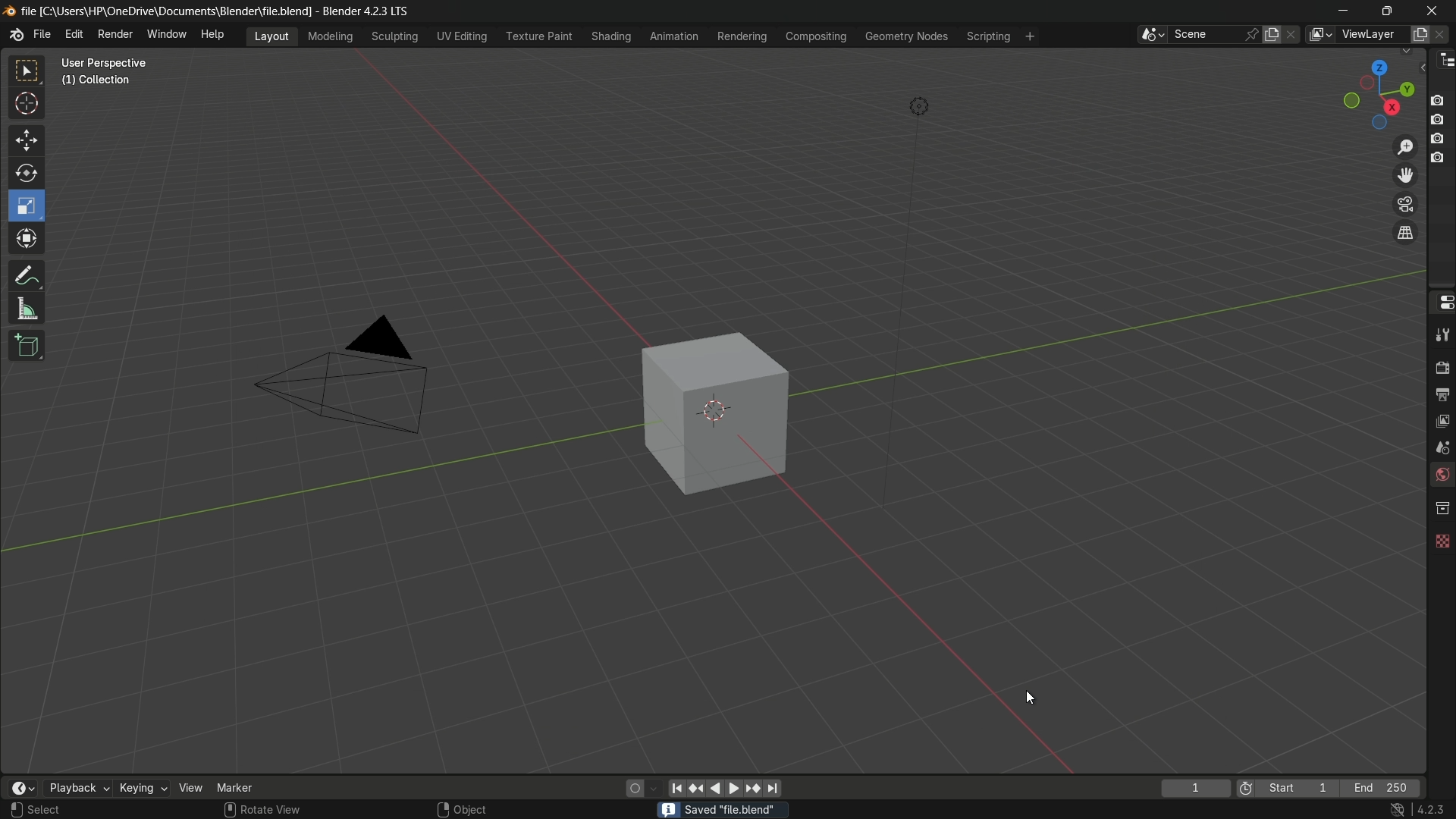 This screenshot has width=1456, height=819. I want to click on render menu, so click(115, 33).